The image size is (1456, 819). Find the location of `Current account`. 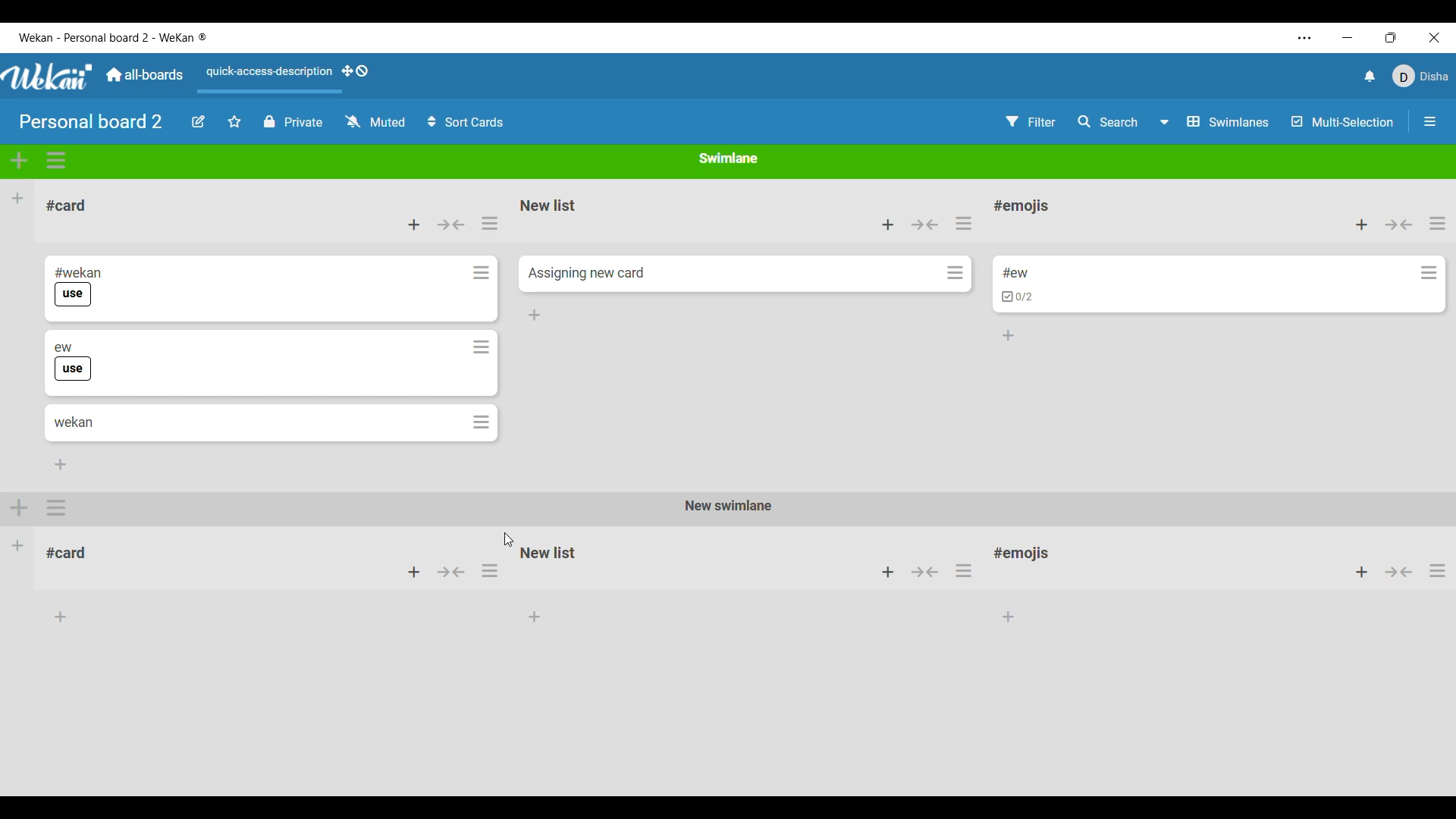

Current account is located at coordinates (1421, 76).